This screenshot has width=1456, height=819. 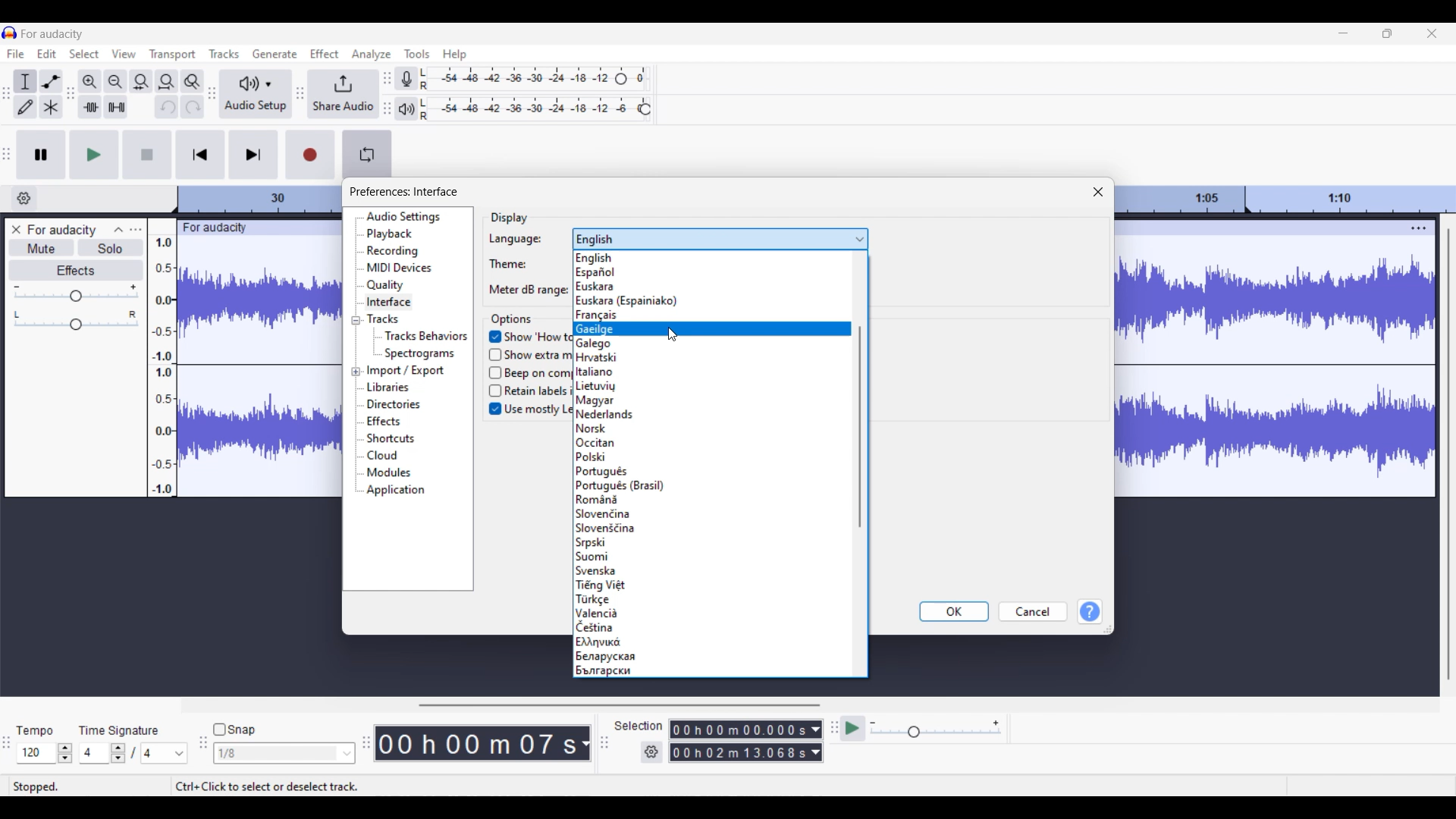 What do you see at coordinates (1034, 612) in the screenshot?
I see `Cancel` at bounding box center [1034, 612].